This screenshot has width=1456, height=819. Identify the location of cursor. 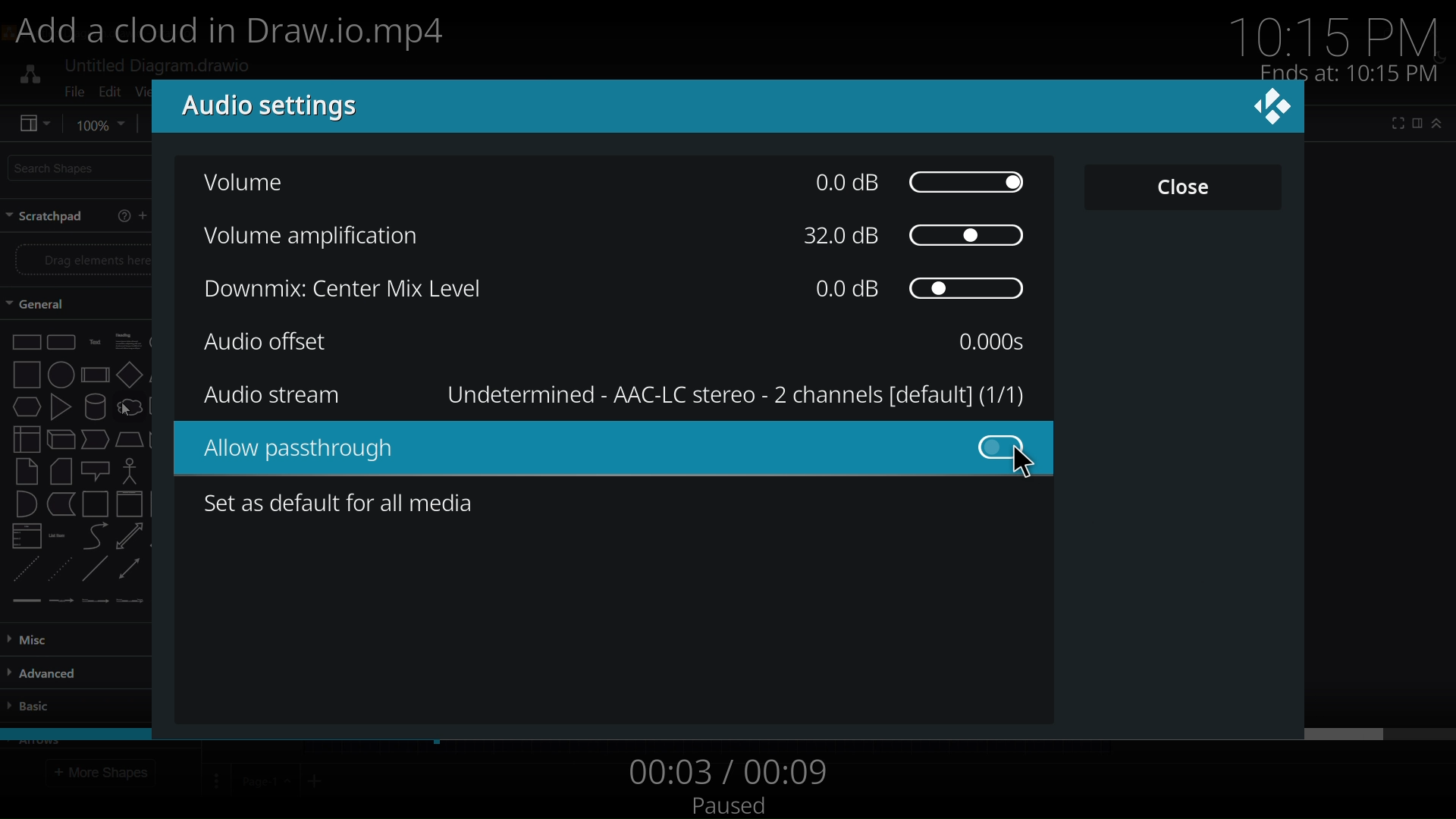
(1028, 466).